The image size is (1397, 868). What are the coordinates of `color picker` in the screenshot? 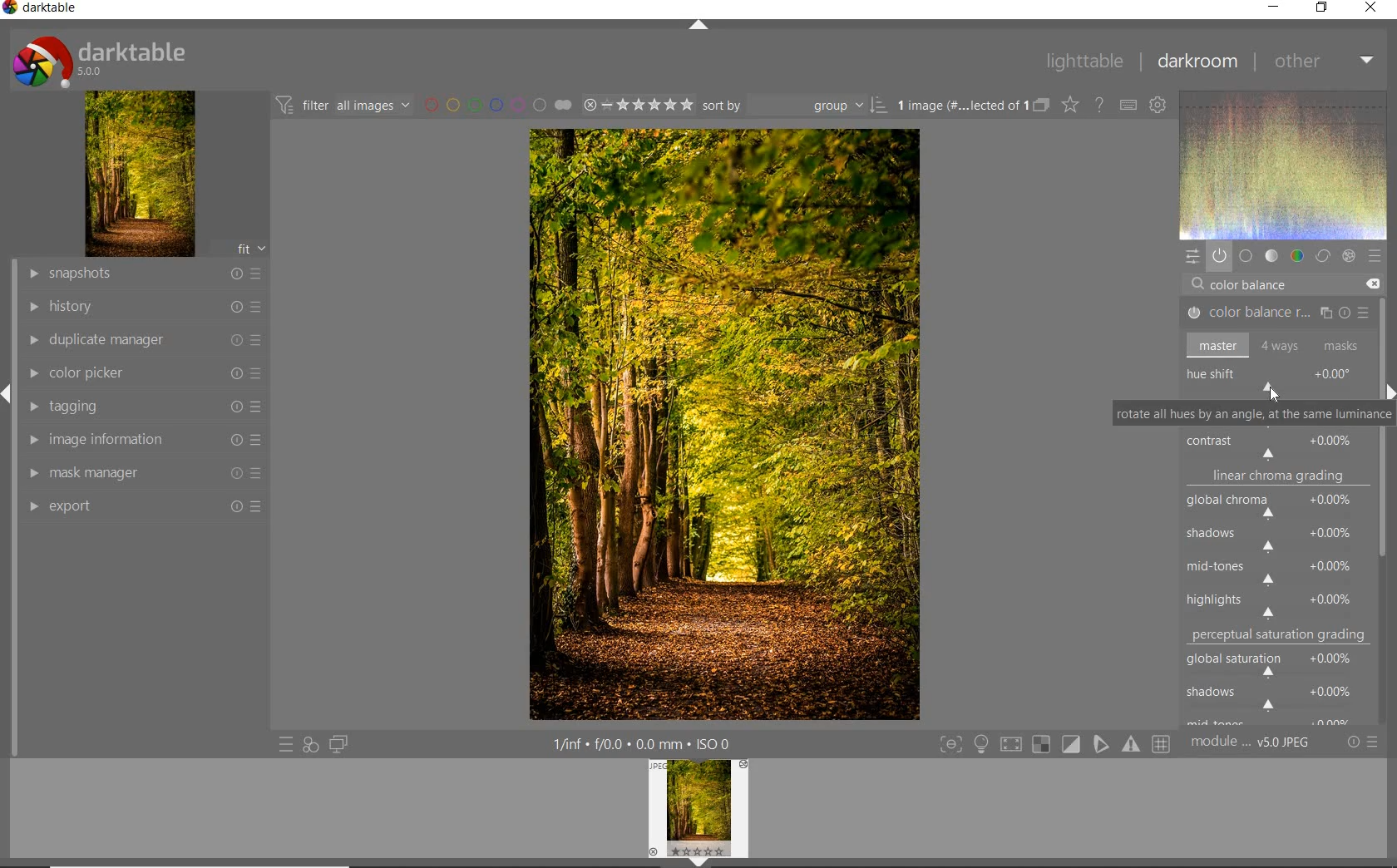 It's located at (144, 374).